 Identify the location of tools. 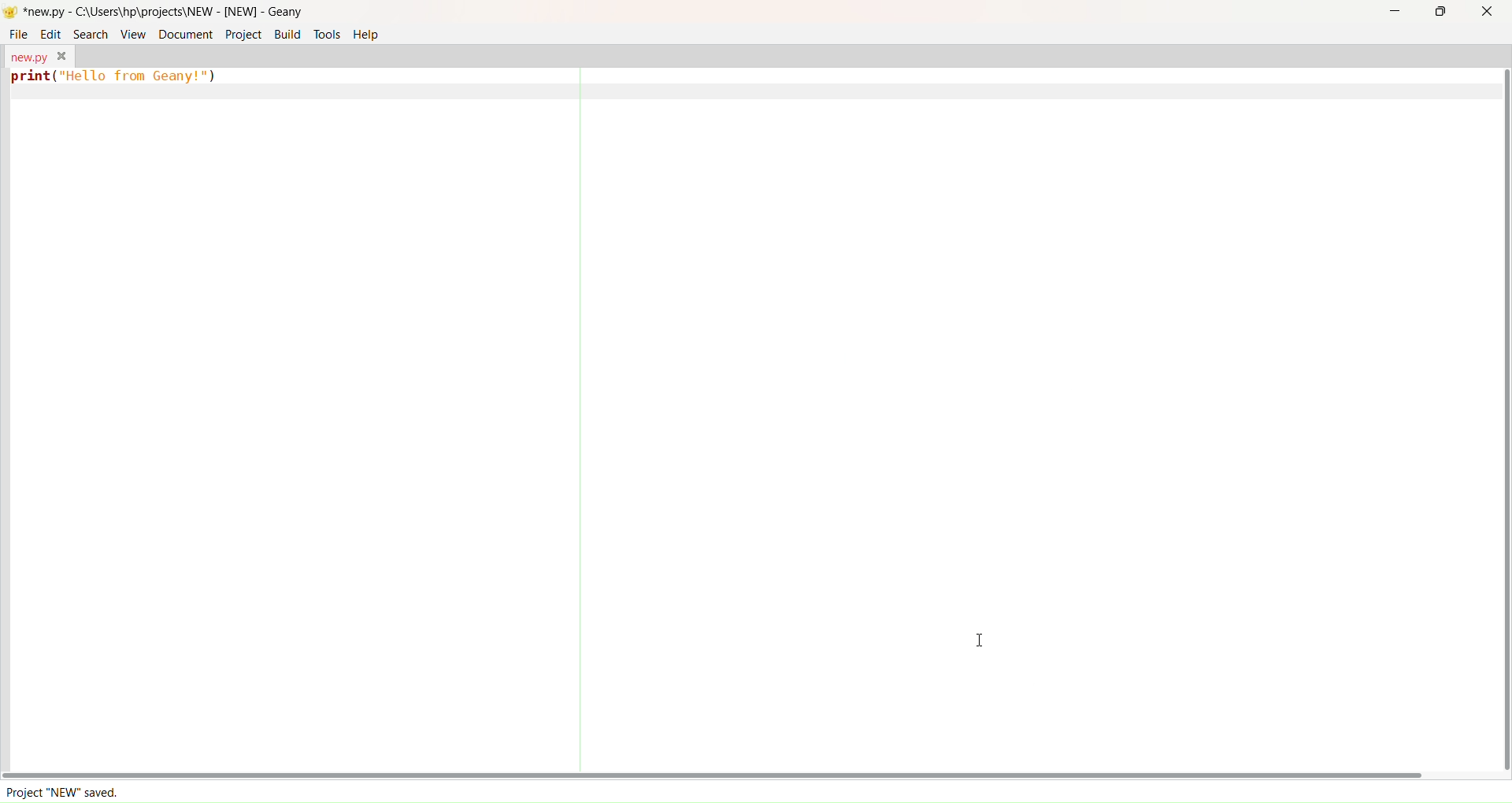
(328, 35).